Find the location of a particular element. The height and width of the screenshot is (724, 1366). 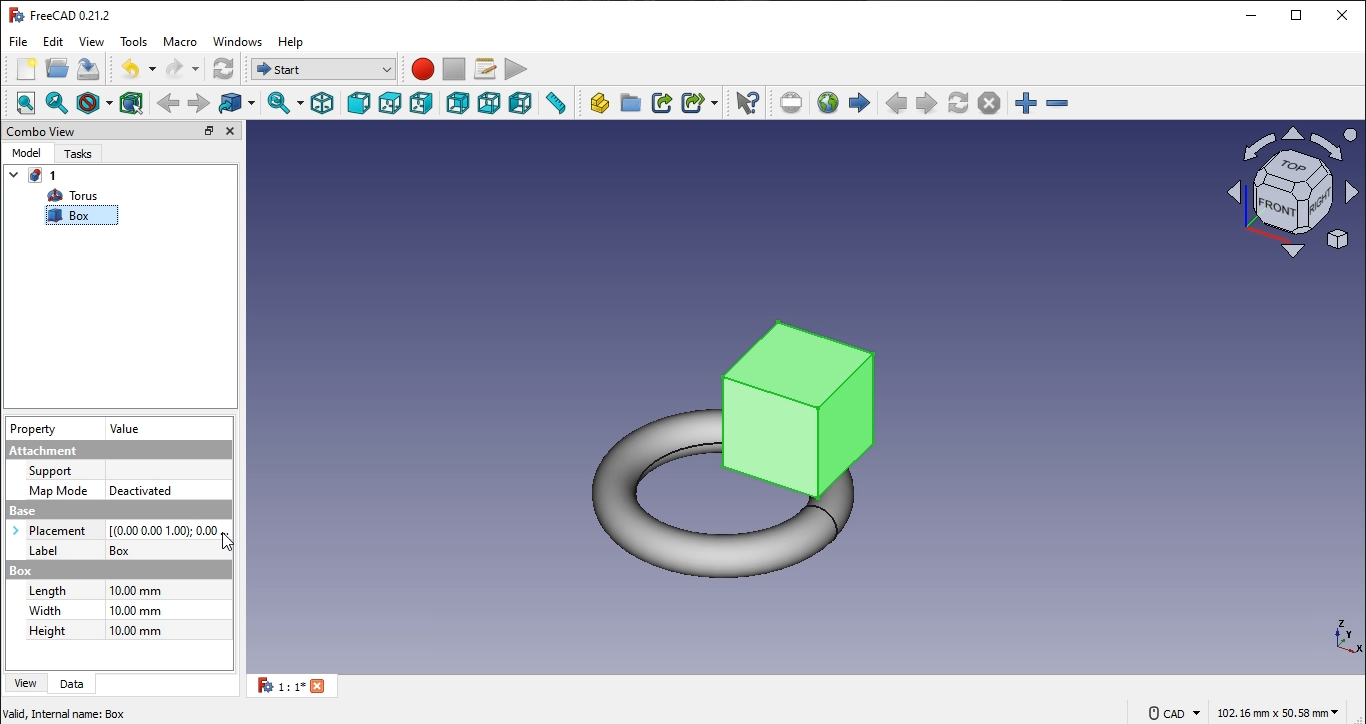

sync view is located at coordinates (285, 103).